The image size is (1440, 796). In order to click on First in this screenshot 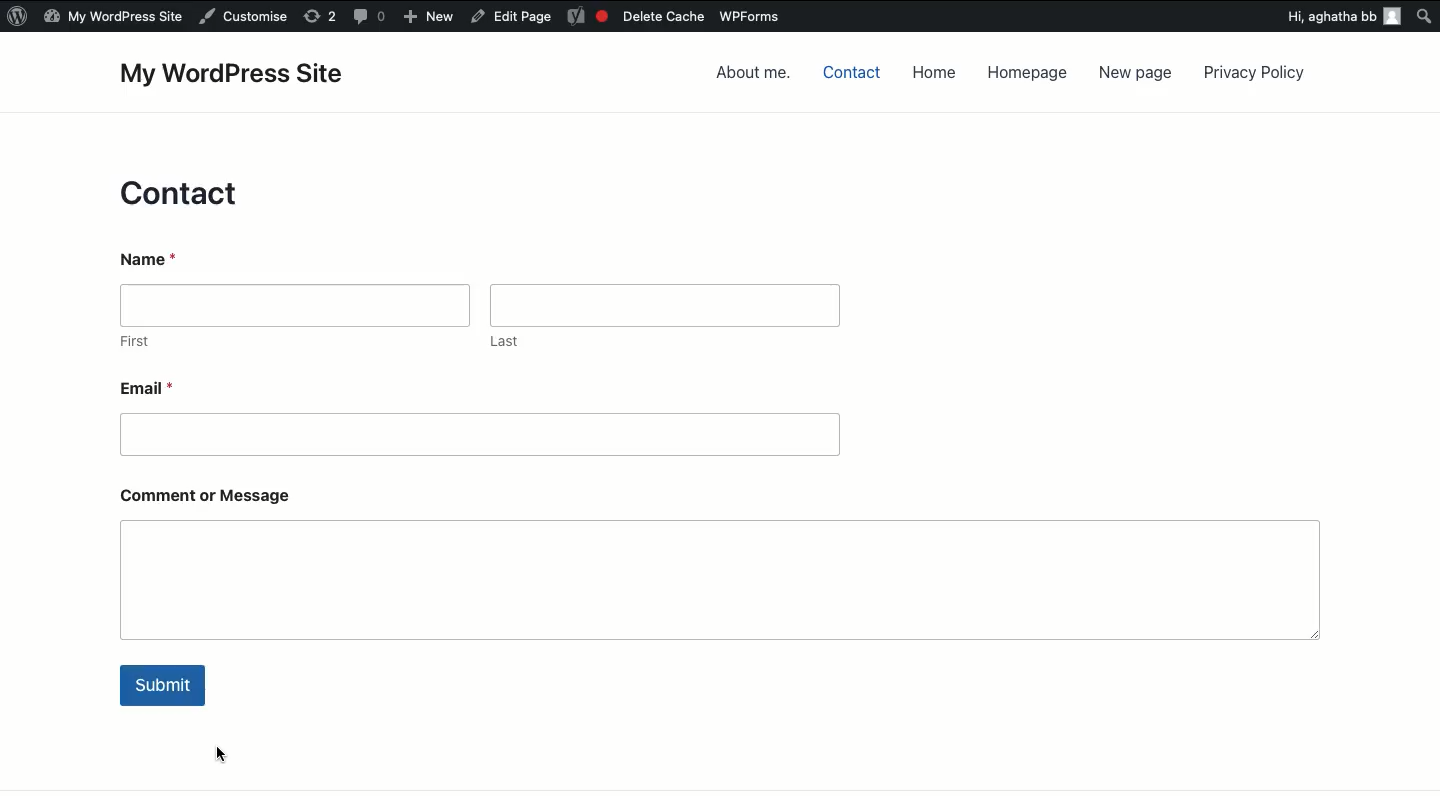, I will do `click(298, 318)`.